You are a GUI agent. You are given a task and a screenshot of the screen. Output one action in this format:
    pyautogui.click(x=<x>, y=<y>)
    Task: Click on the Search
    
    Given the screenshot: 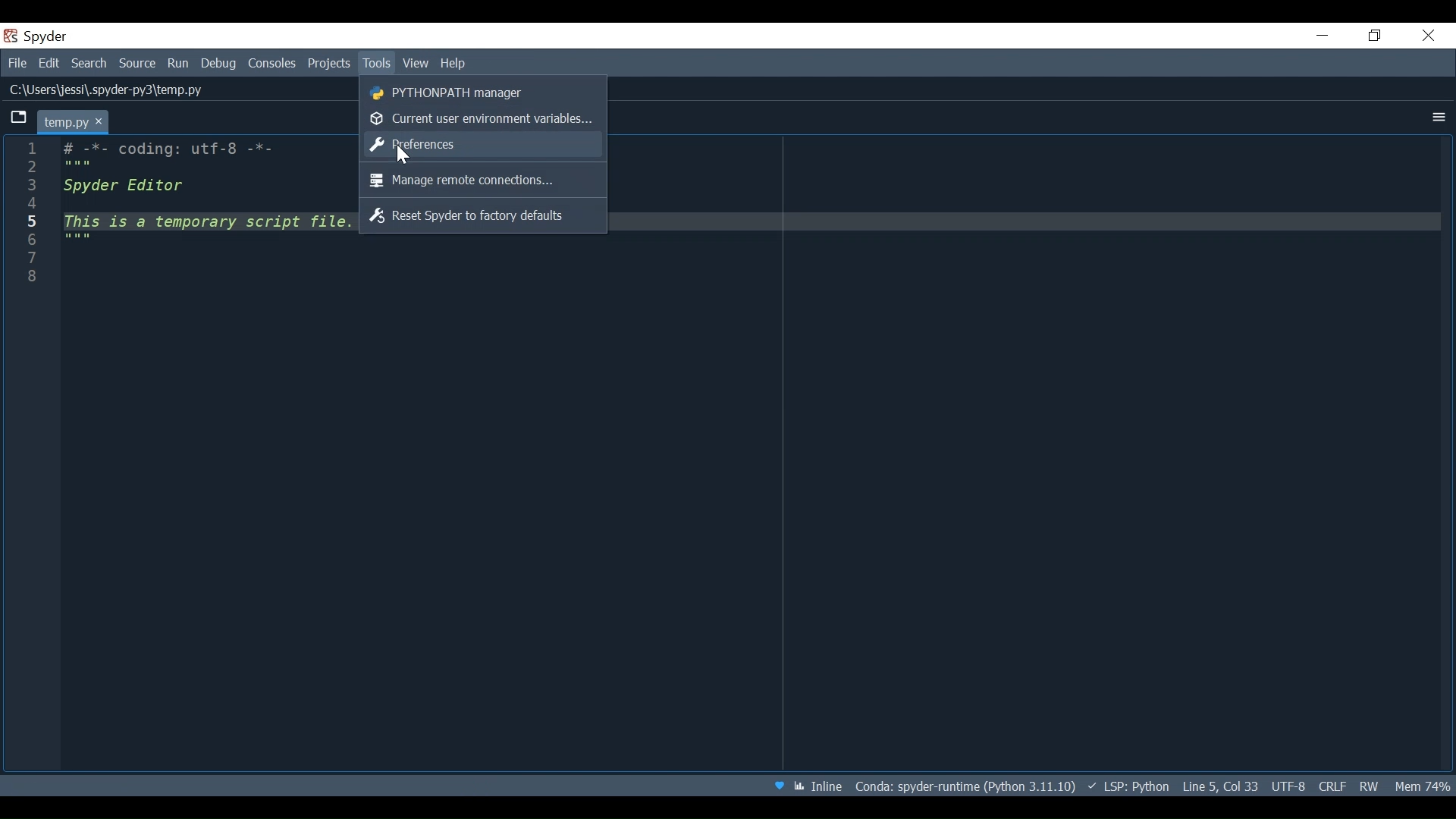 What is the action you would take?
    pyautogui.click(x=88, y=64)
    